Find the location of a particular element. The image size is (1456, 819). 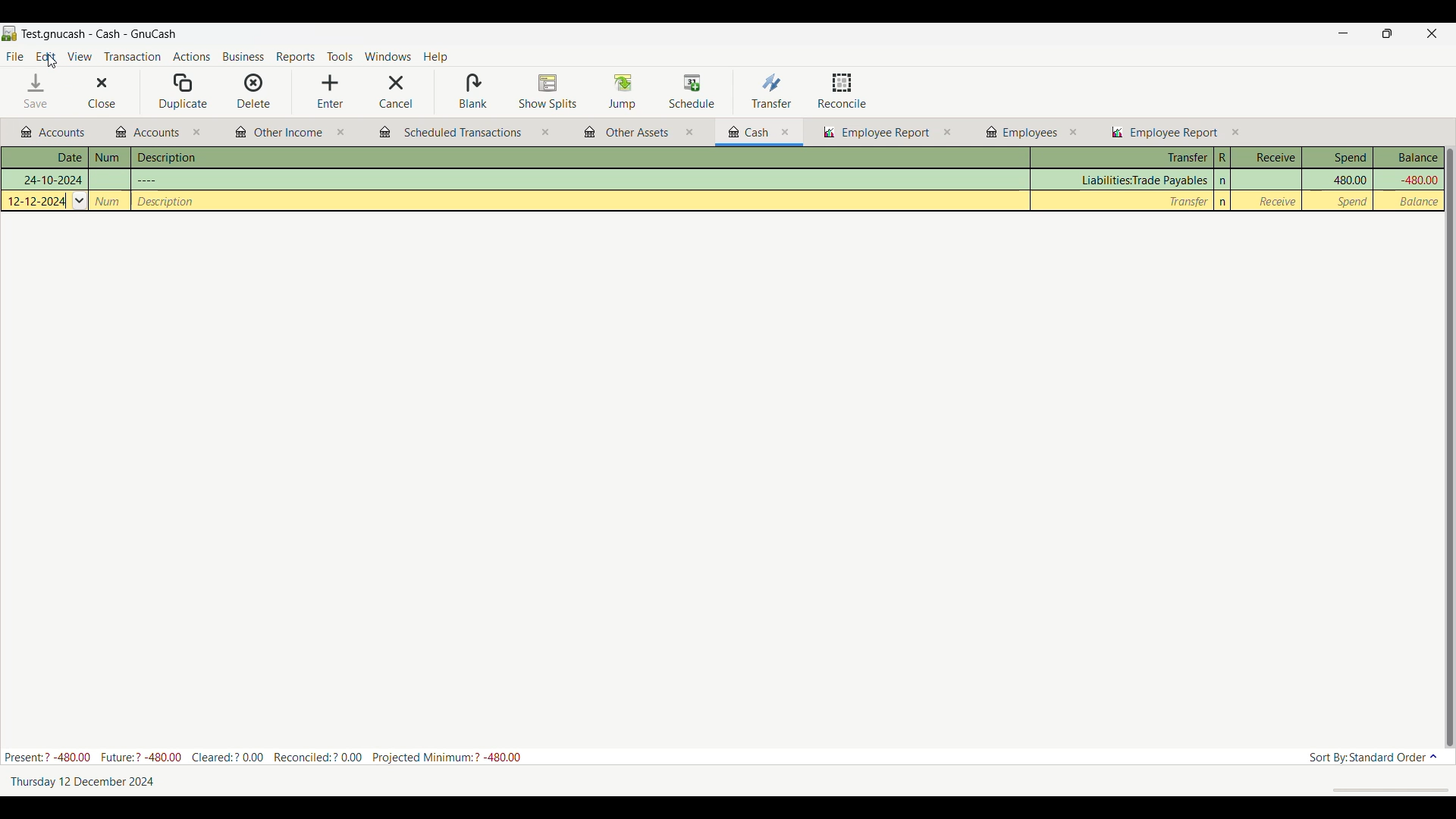

Other budgets and reports is located at coordinates (877, 133).